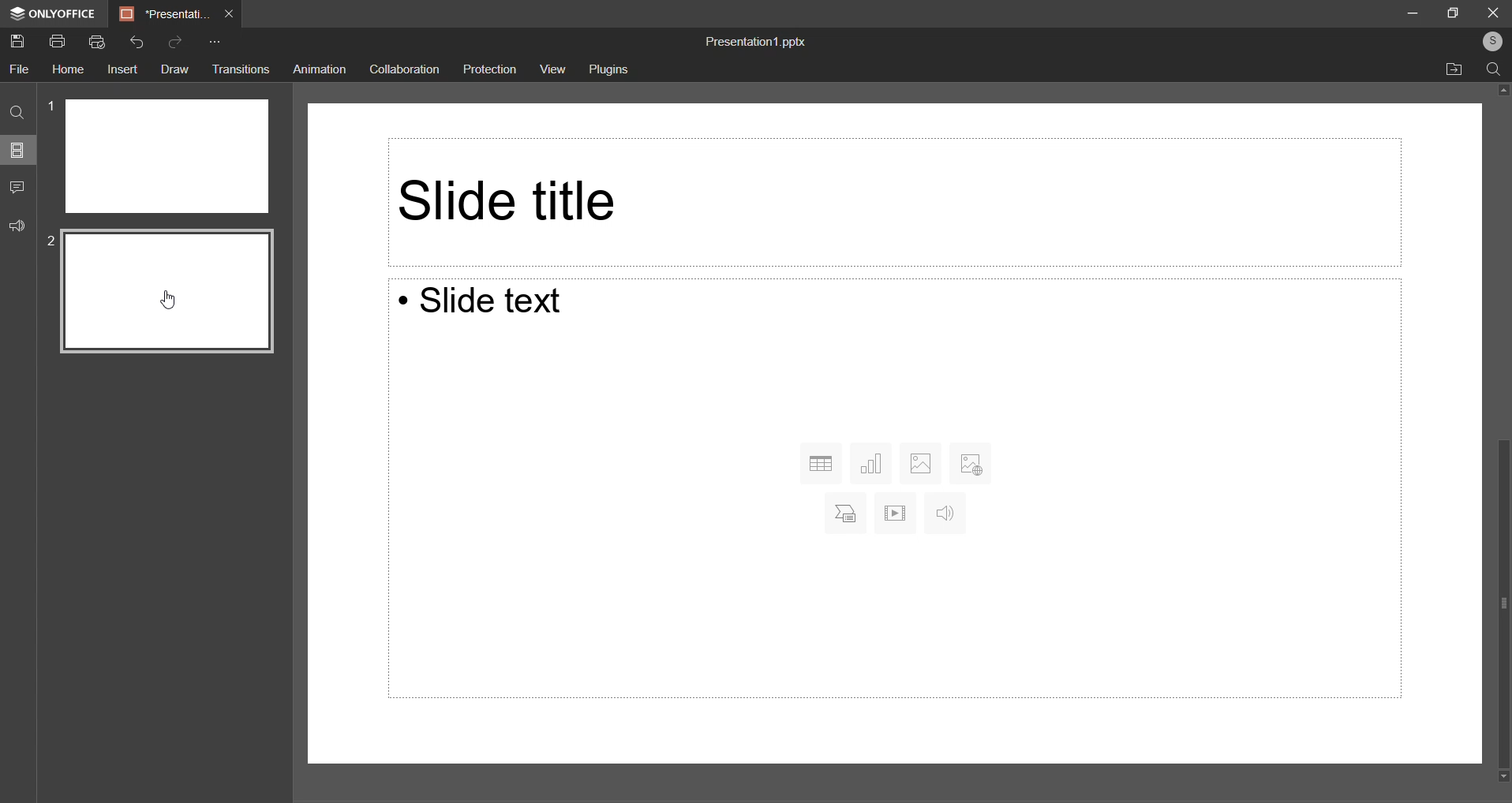 This screenshot has height=803, width=1512. I want to click on 1, so click(52, 104).